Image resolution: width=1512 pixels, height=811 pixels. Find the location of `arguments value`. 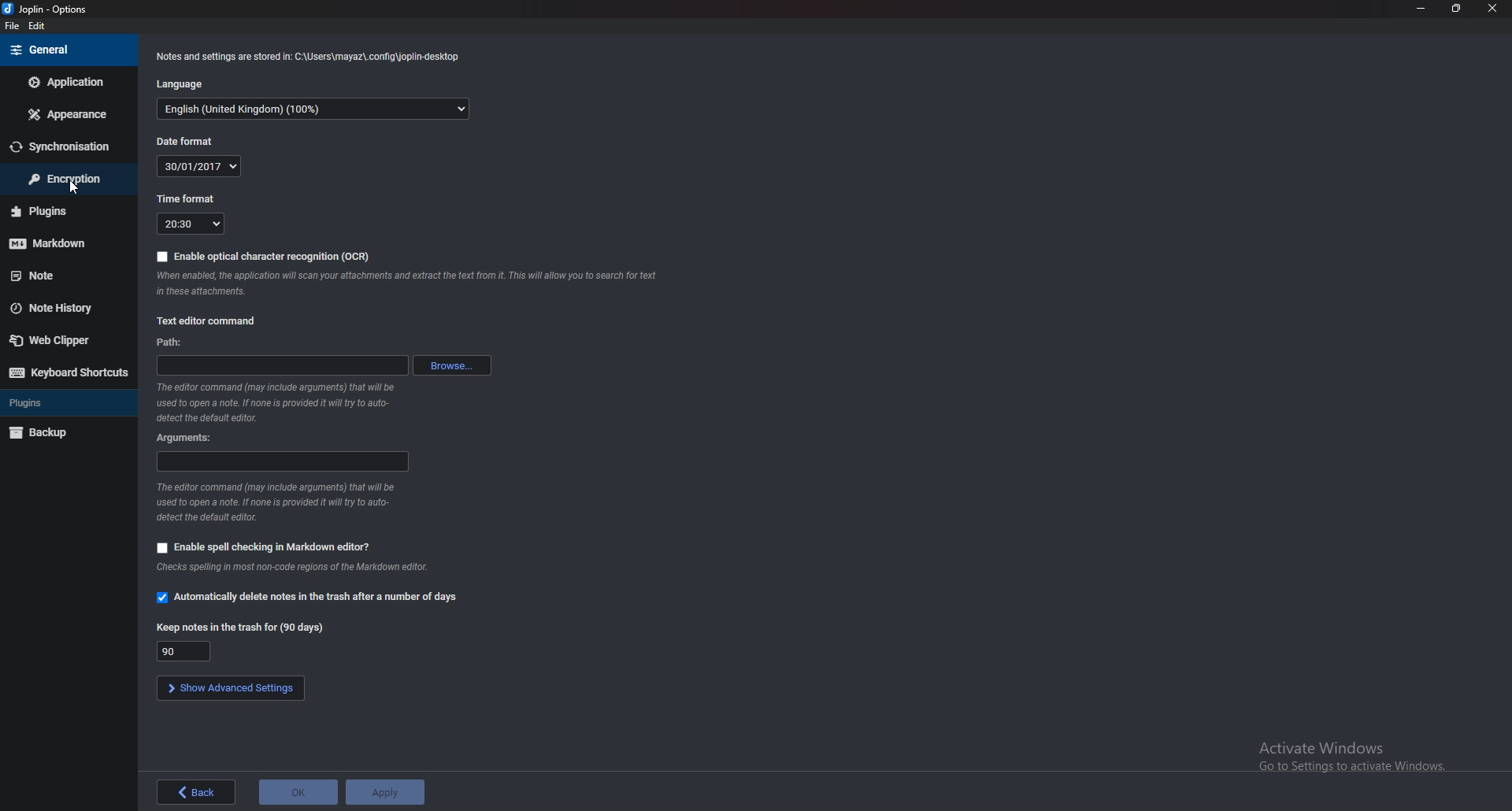

arguments value is located at coordinates (284, 460).